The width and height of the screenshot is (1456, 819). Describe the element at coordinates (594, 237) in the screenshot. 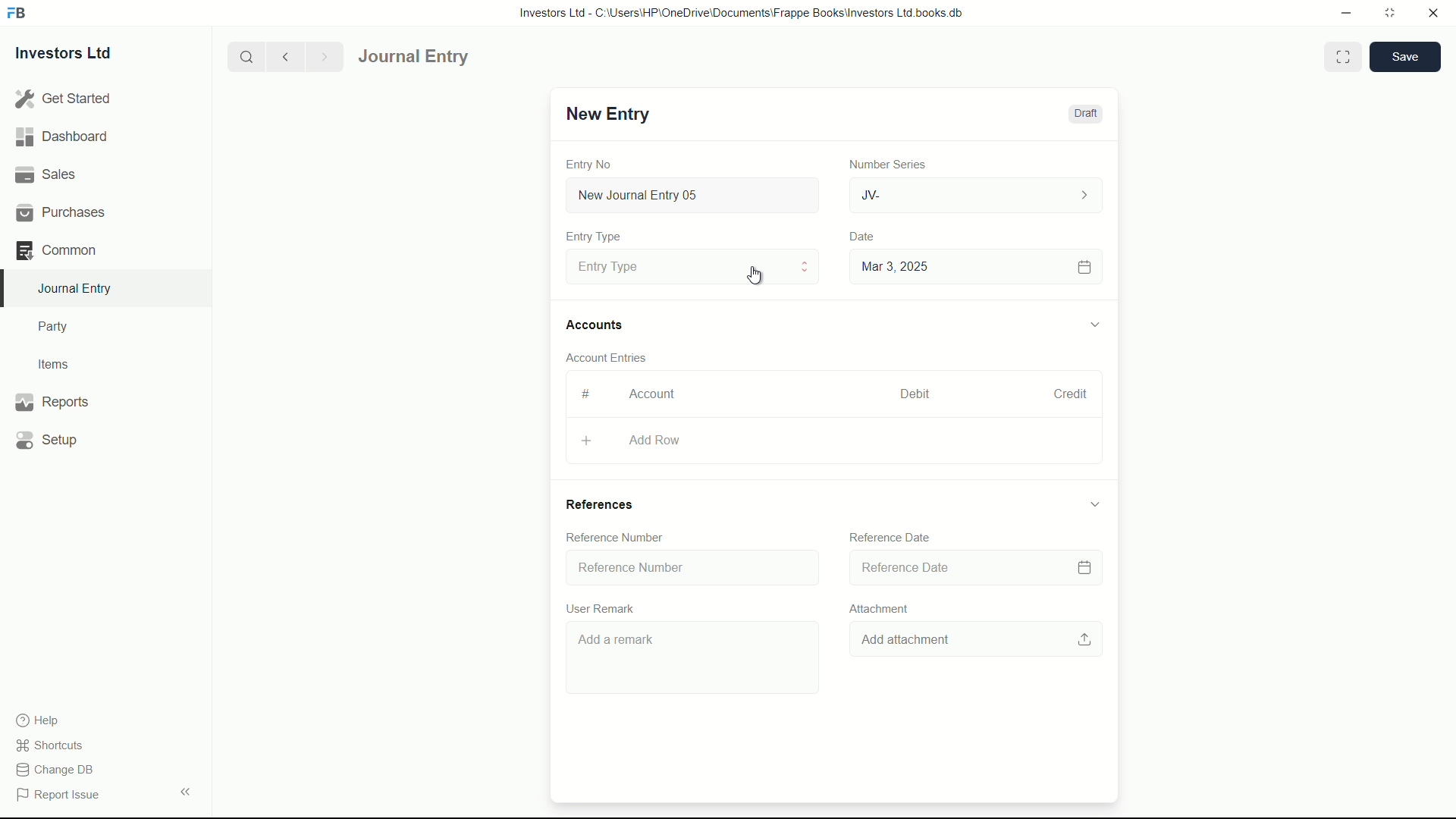

I see `Entry Type` at that location.